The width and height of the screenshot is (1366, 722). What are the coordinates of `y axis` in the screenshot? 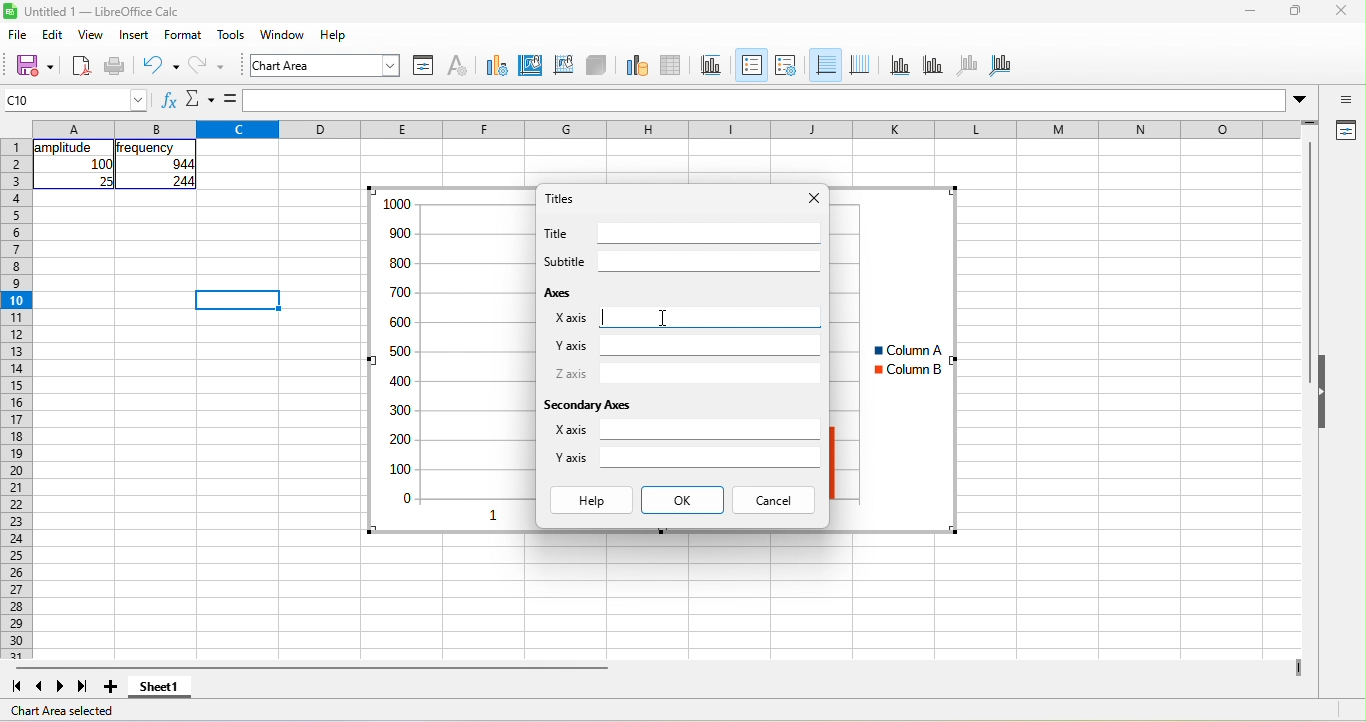 It's located at (933, 66).